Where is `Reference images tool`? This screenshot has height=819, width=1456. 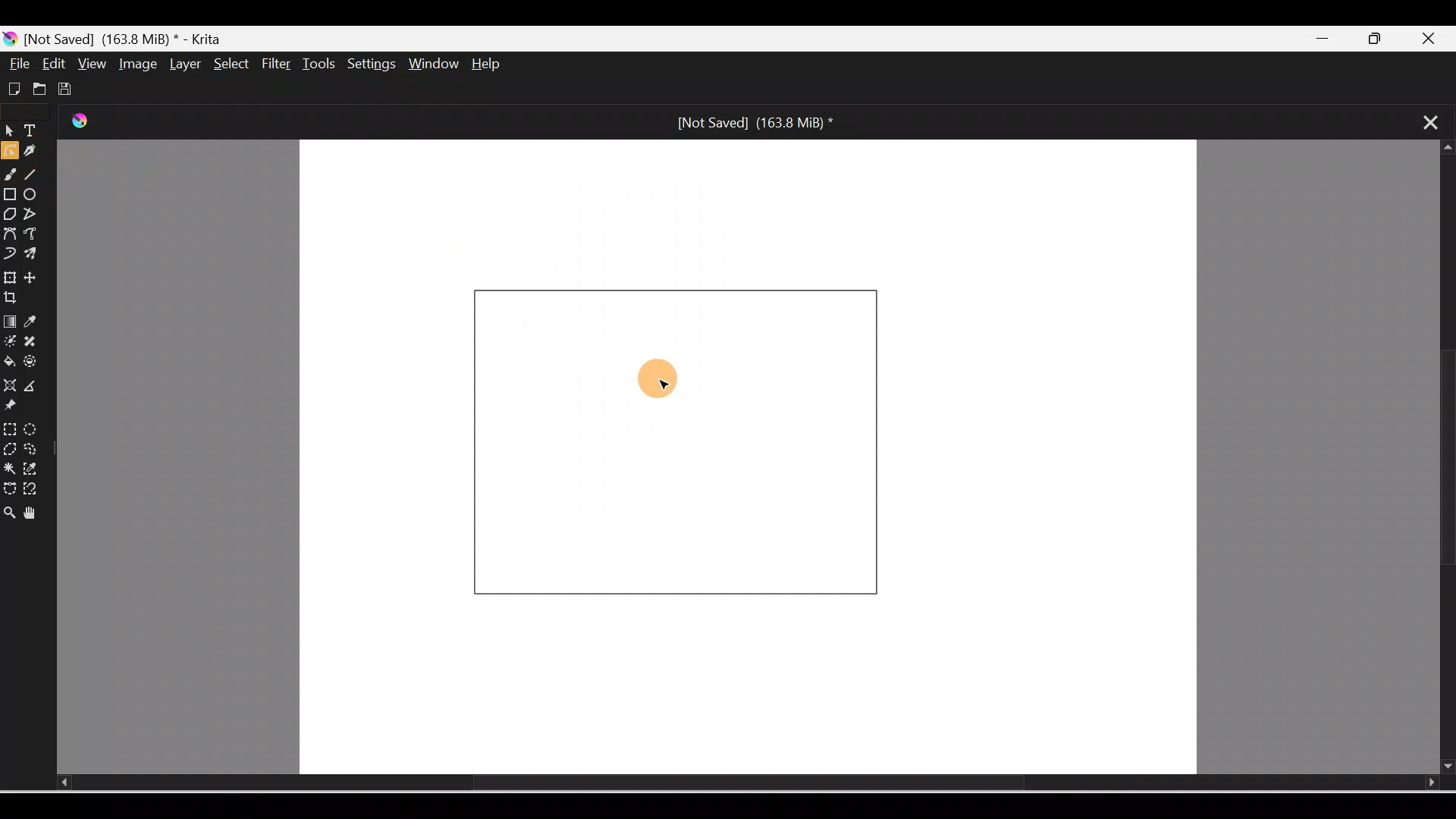 Reference images tool is located at coordinates (19, 408).